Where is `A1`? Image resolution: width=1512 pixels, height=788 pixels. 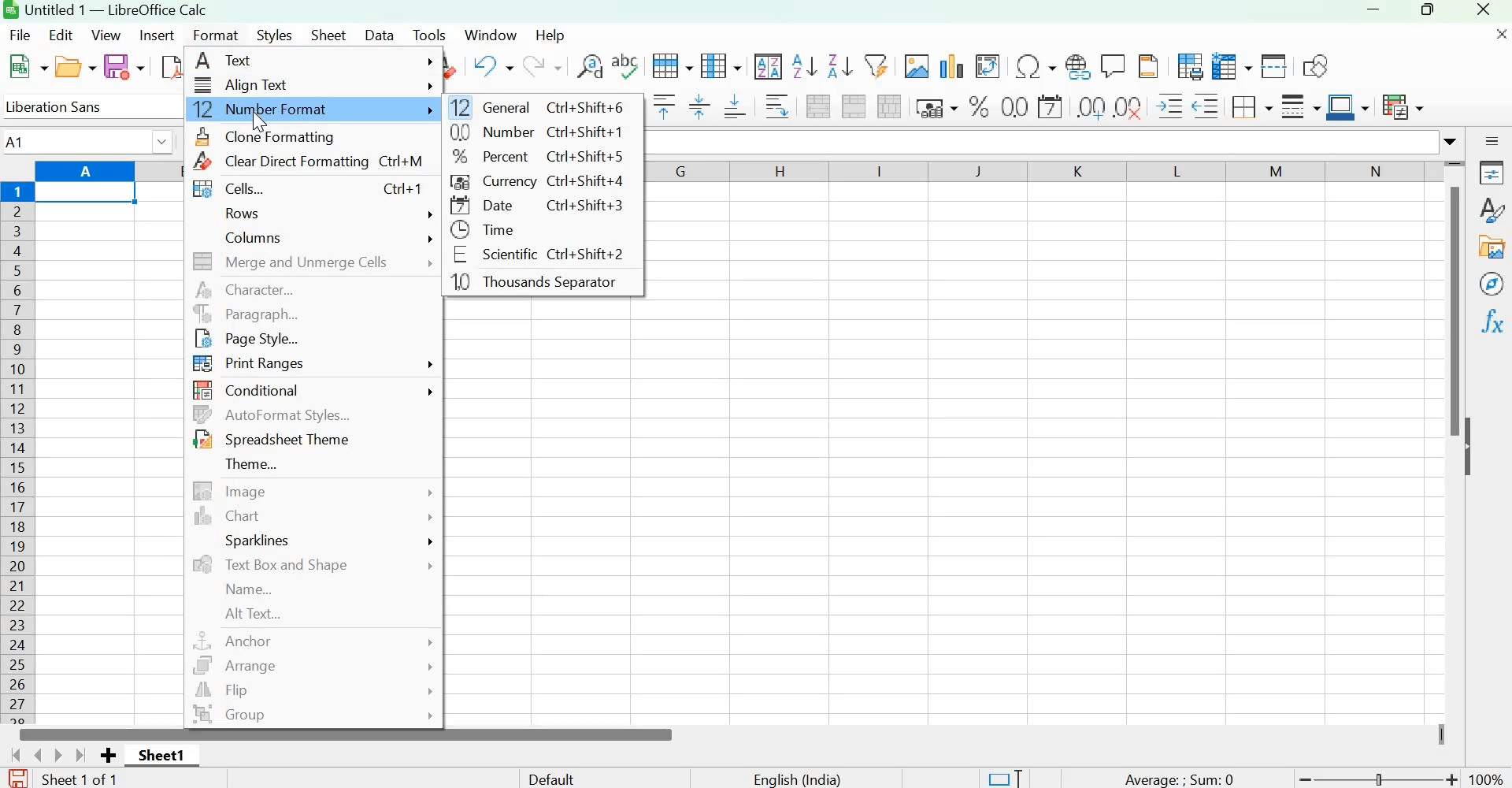 A1 is located at coordinates (90, 139).